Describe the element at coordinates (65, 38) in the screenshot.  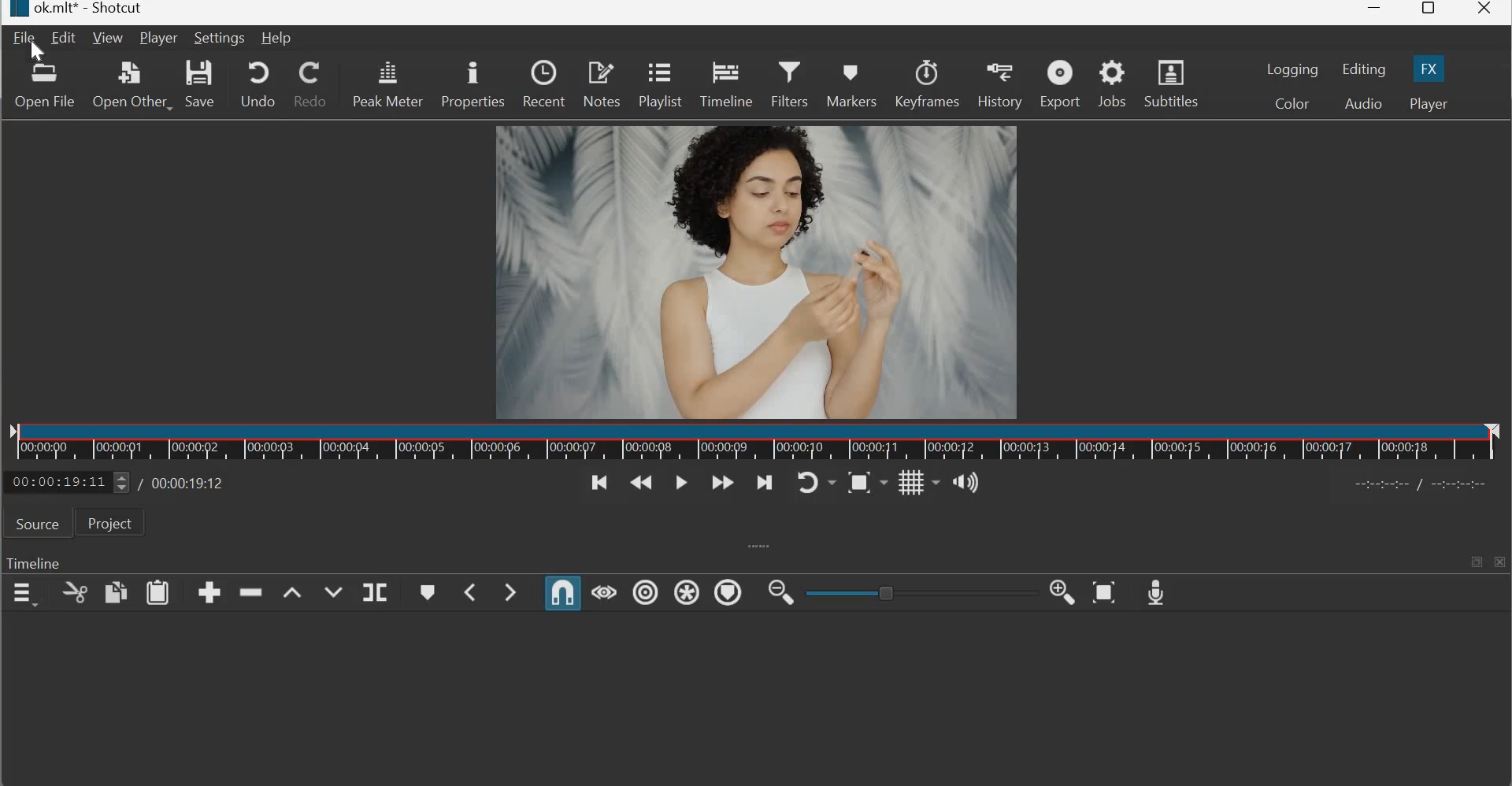
I see `Edit` at that location.